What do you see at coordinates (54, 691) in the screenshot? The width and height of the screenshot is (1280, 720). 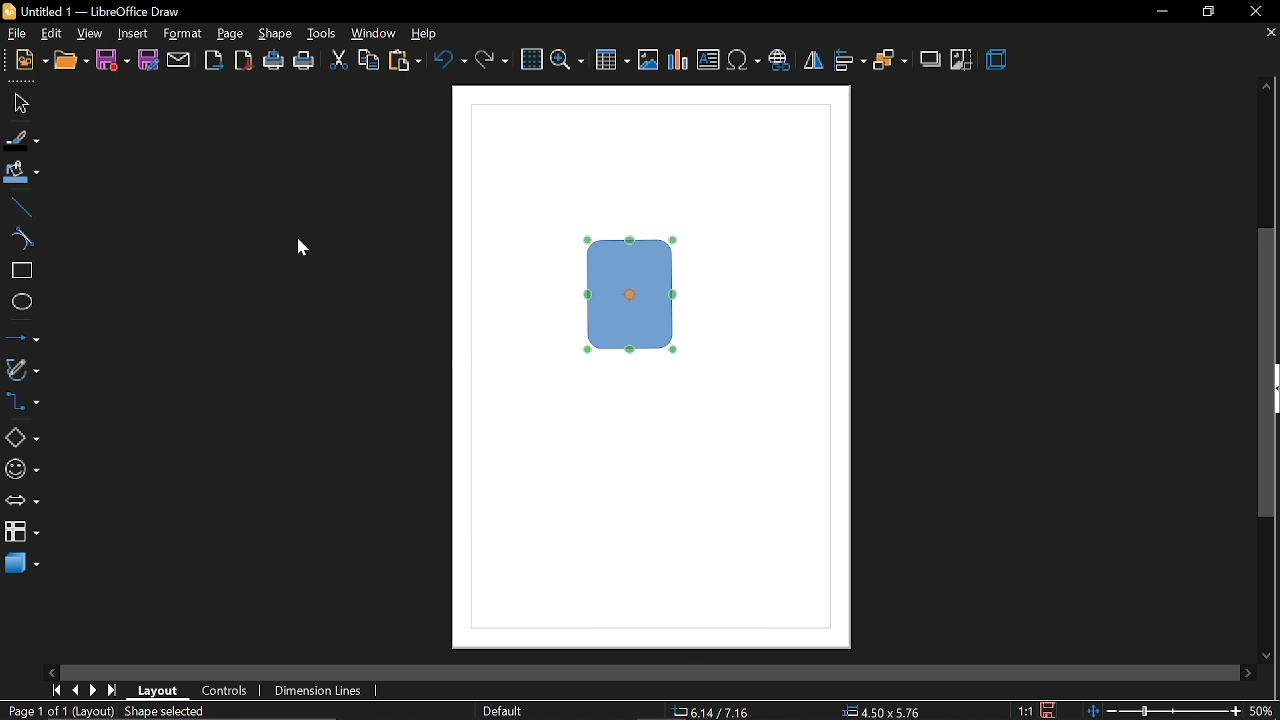 I see `go to first page` at bounding box center [54, 691].